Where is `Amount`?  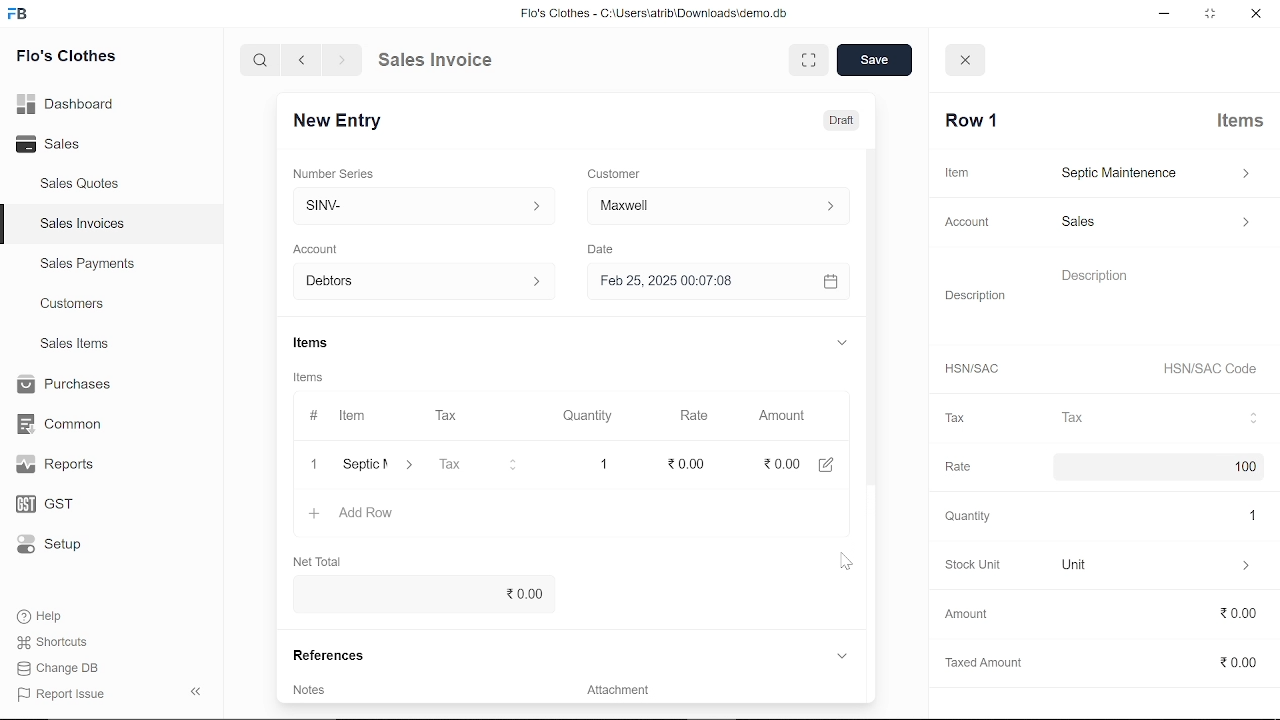
Amount is located at coordinates (782, 417).